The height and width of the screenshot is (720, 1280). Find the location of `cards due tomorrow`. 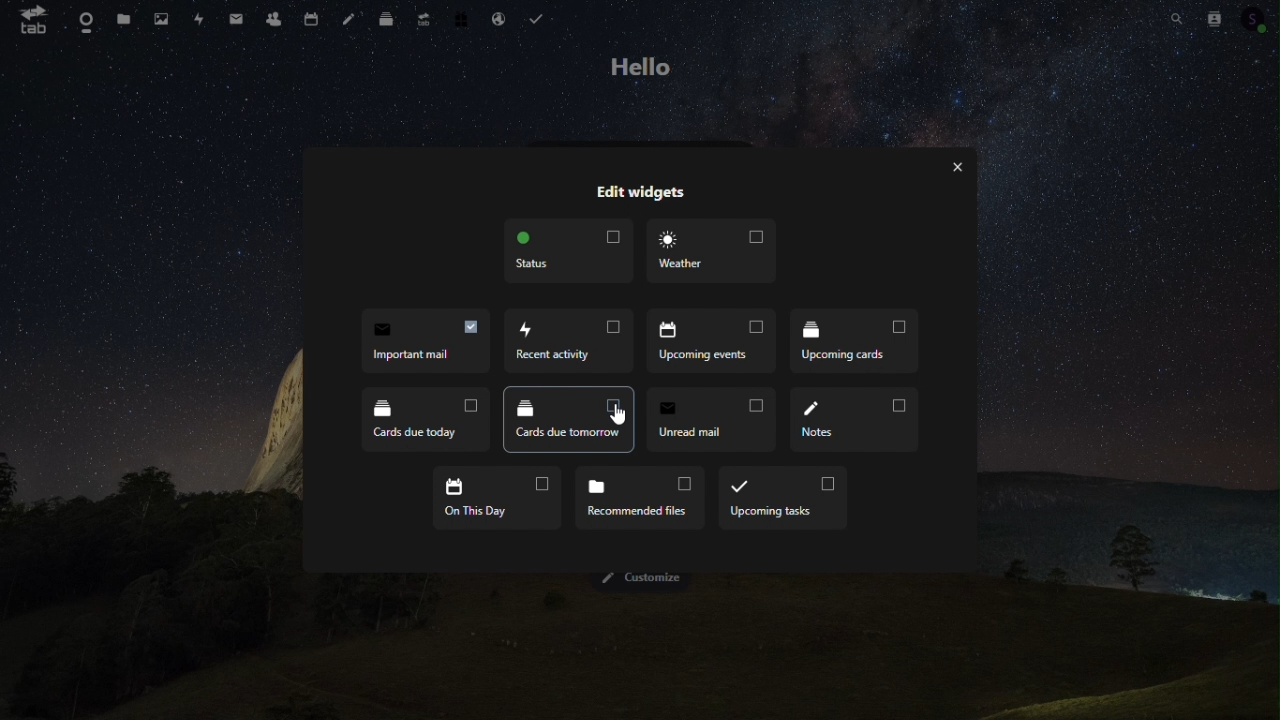

cards due tomorrow is located at coordinates (565, 419).